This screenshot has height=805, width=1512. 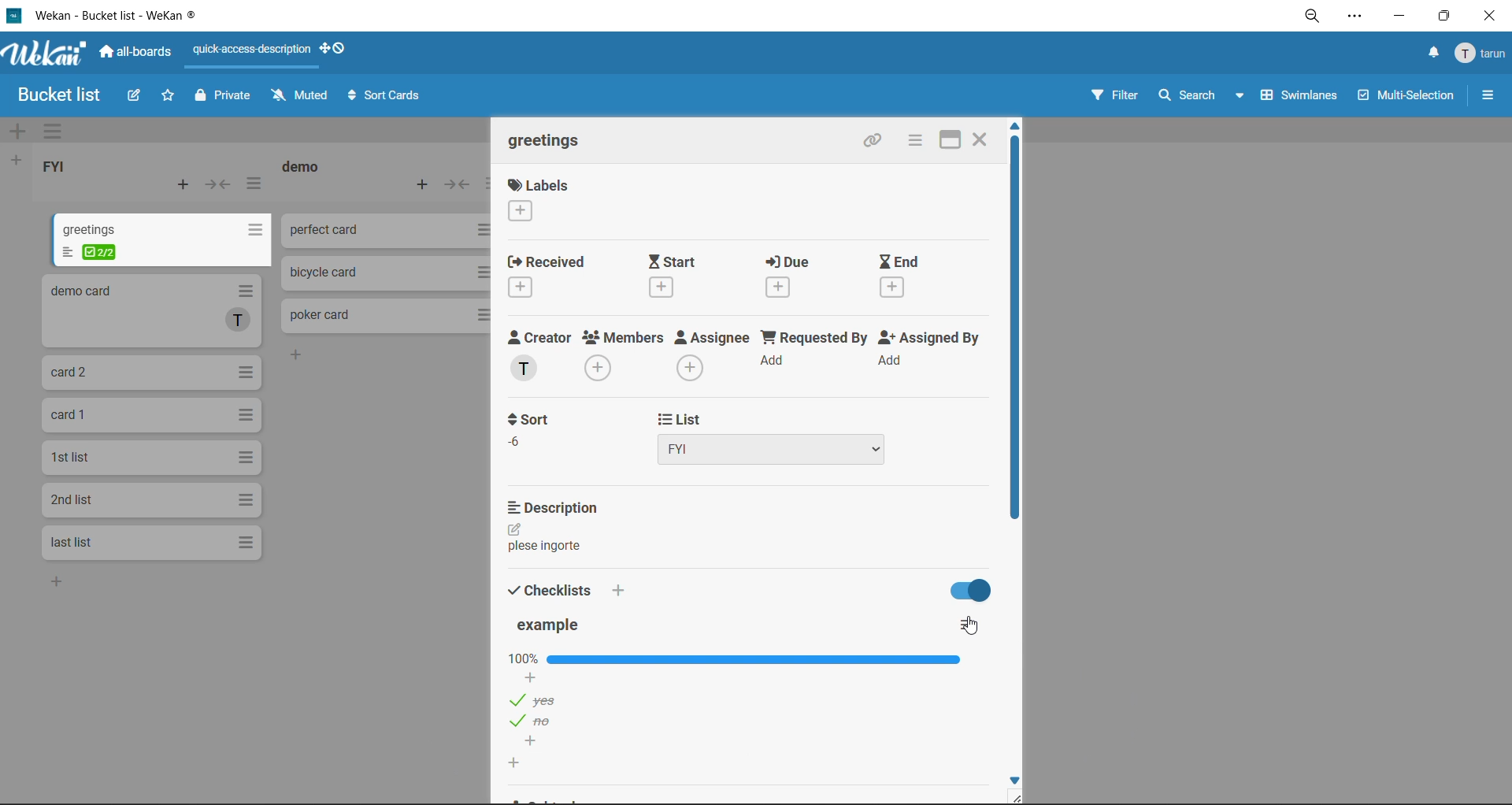 What do you see at coordinates (218, 184) in the screenshot?
I see `collapse` at bounding box center [218, 184].